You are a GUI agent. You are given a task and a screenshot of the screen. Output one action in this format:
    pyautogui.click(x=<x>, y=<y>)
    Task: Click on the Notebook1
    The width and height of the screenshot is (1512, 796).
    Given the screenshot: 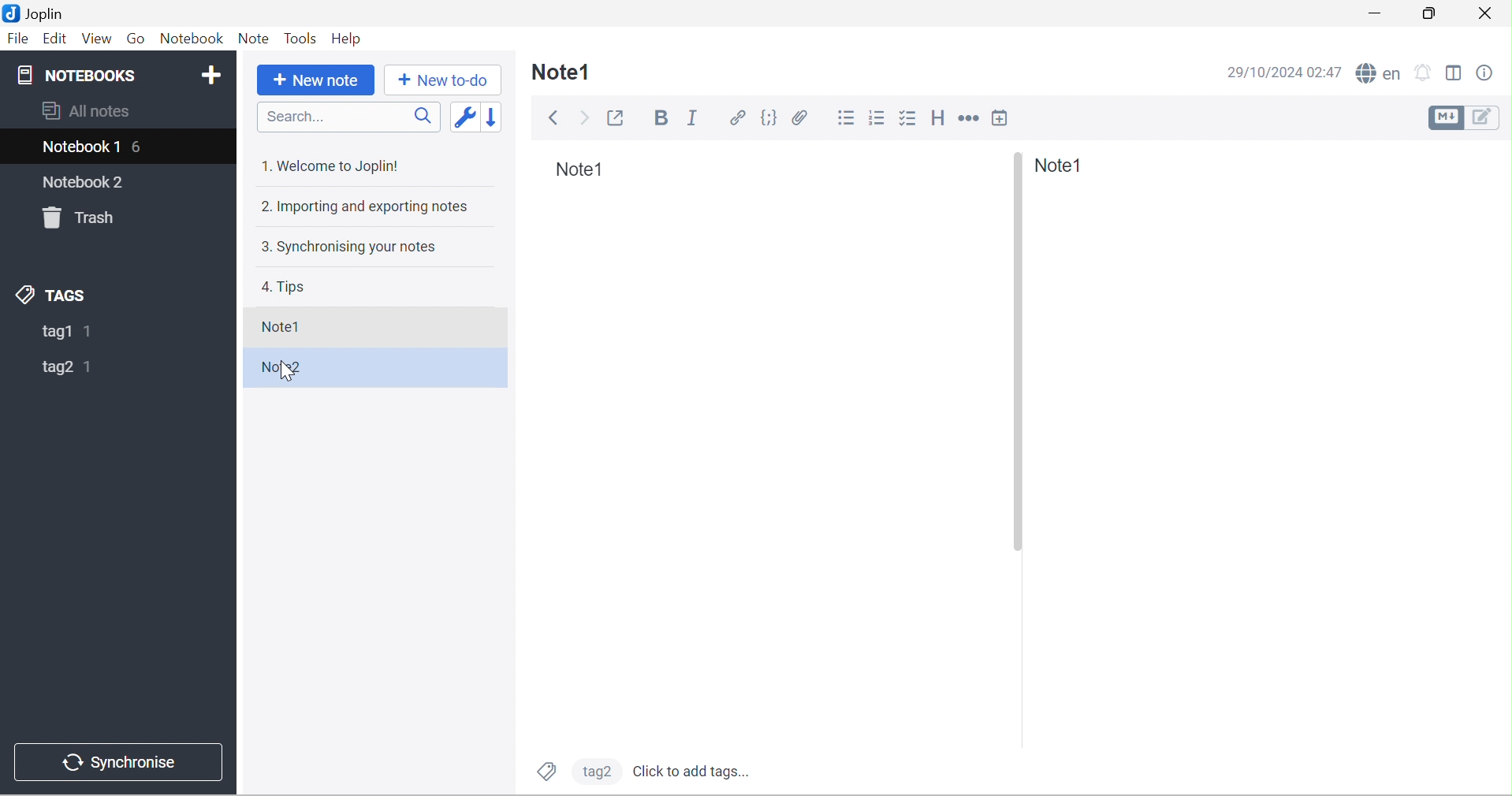 What is the action you would take?
    pyautogui.click(x=78, y=147)
    